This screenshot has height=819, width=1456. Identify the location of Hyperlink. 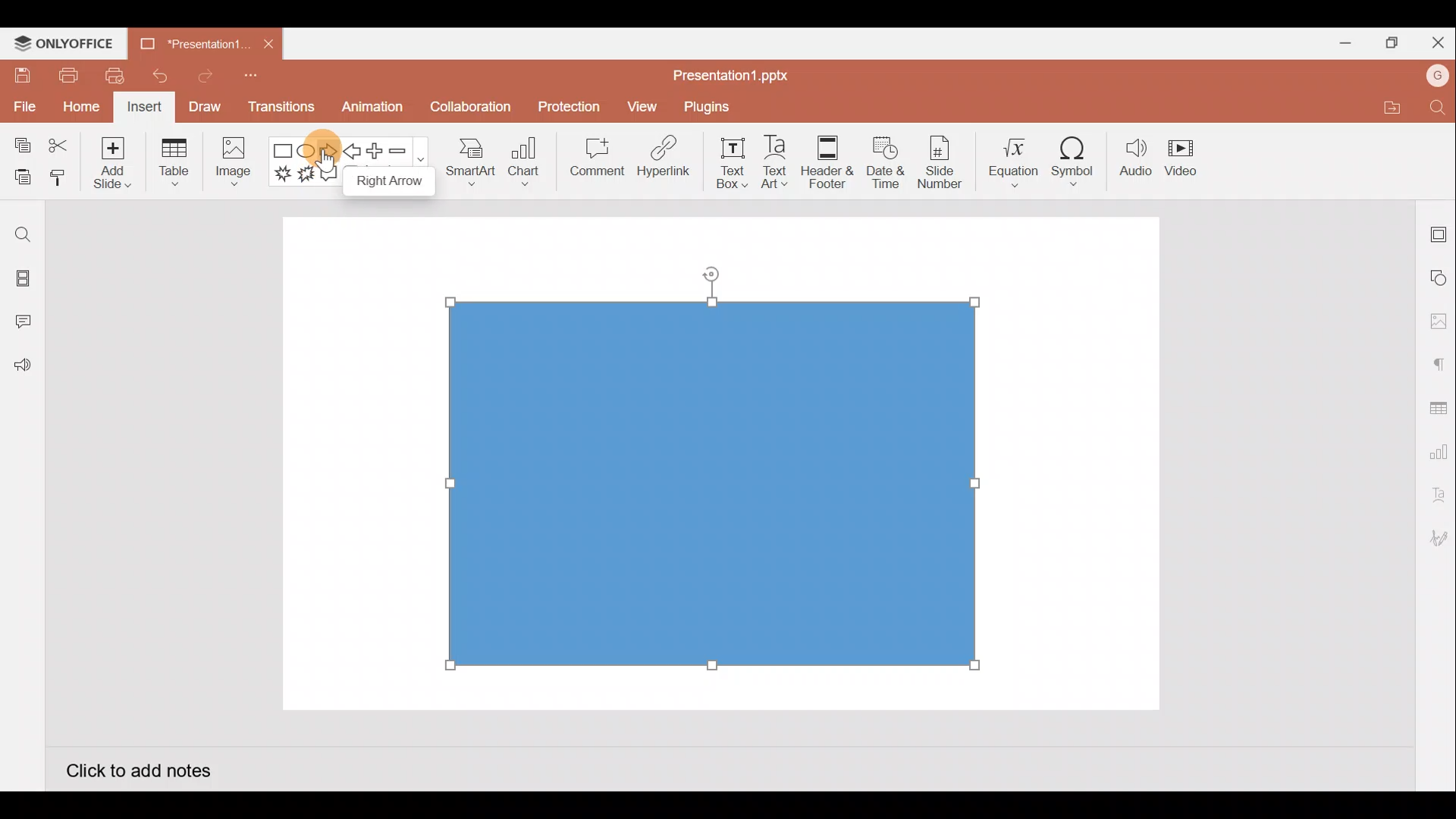
(660, 158).